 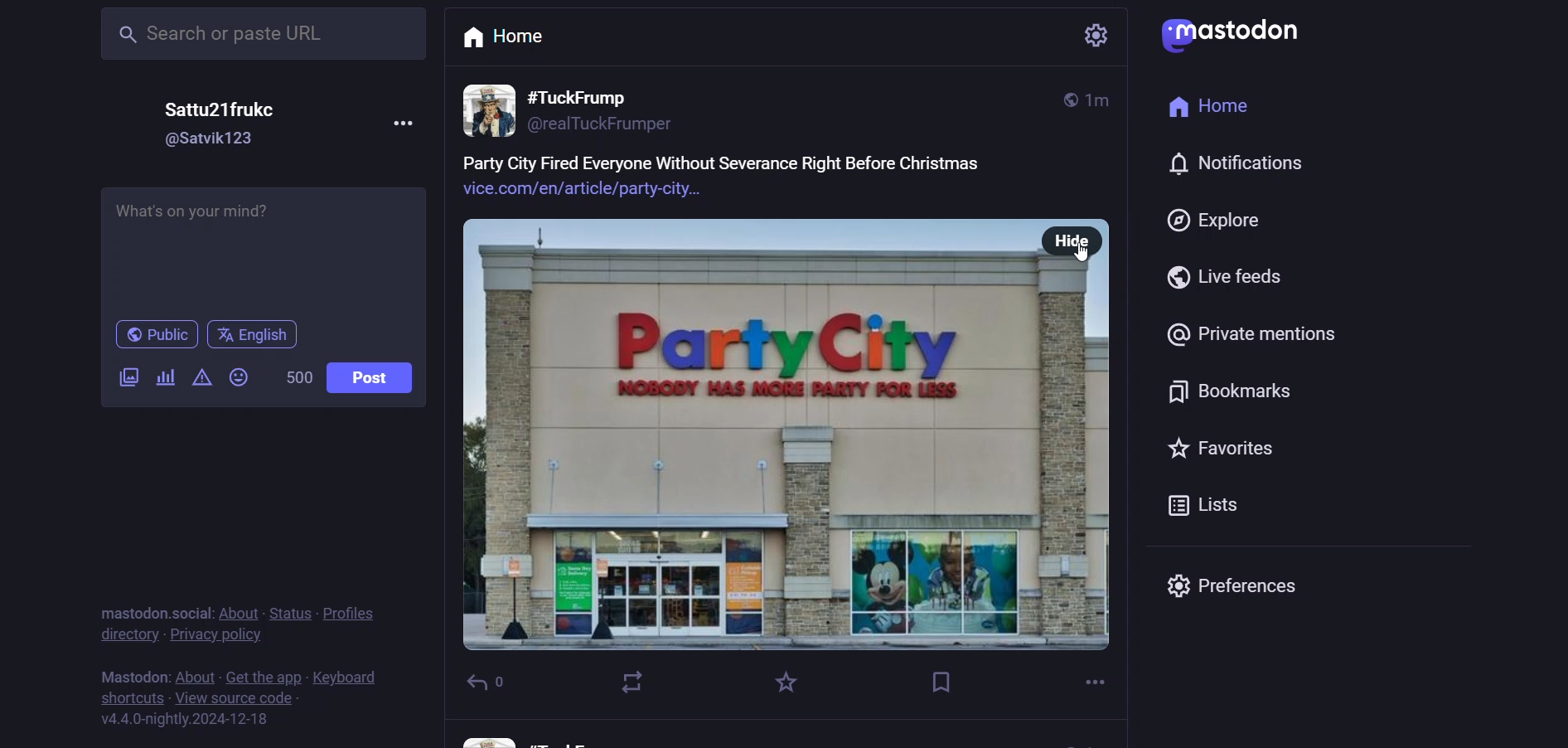 What do you see at coordinates (1220, 449) in the screenshot?
I see `Favorites` at bounding box center [1220, 449].